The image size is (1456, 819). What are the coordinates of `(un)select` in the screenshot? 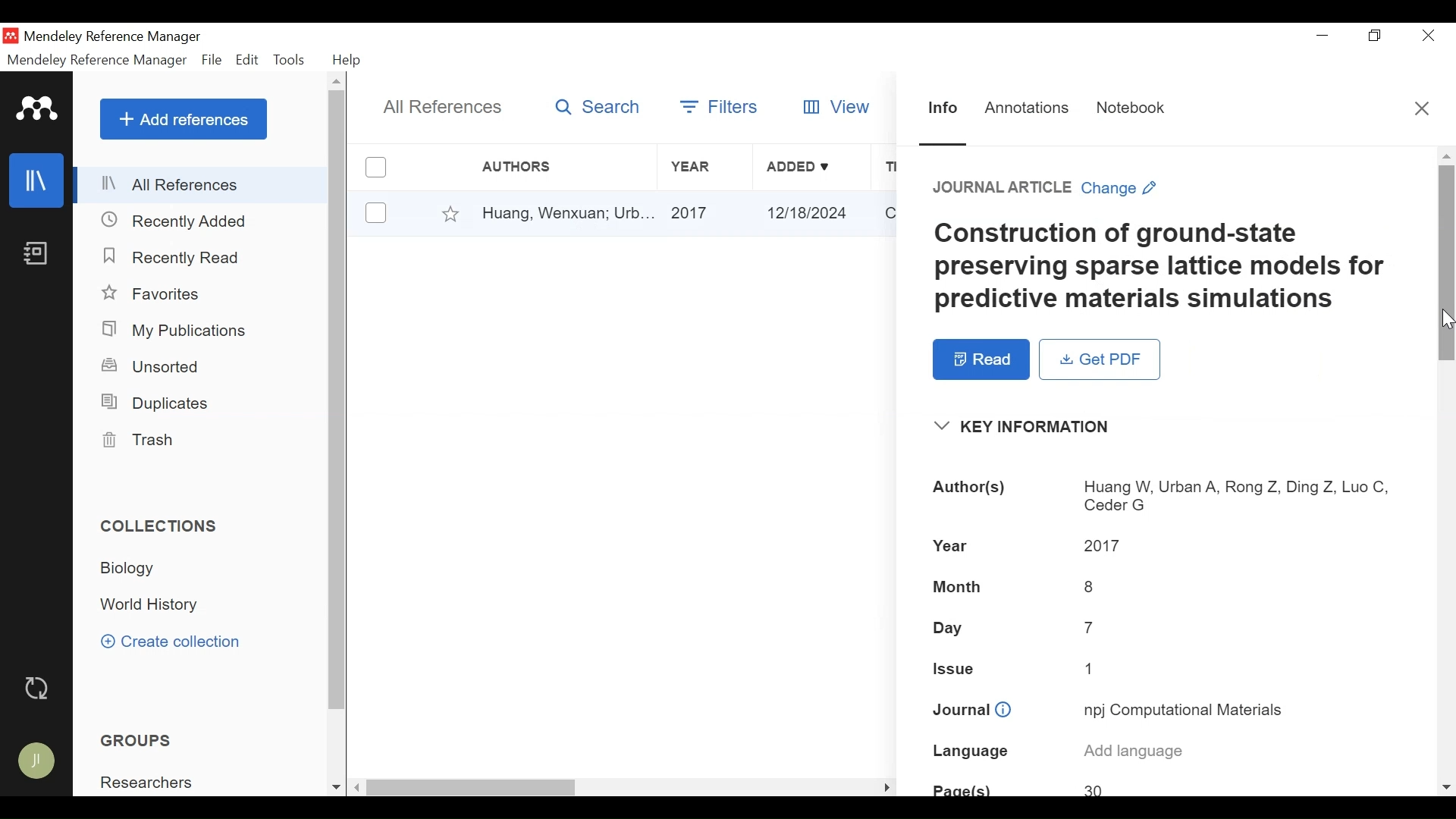 It's located at (375, 212).